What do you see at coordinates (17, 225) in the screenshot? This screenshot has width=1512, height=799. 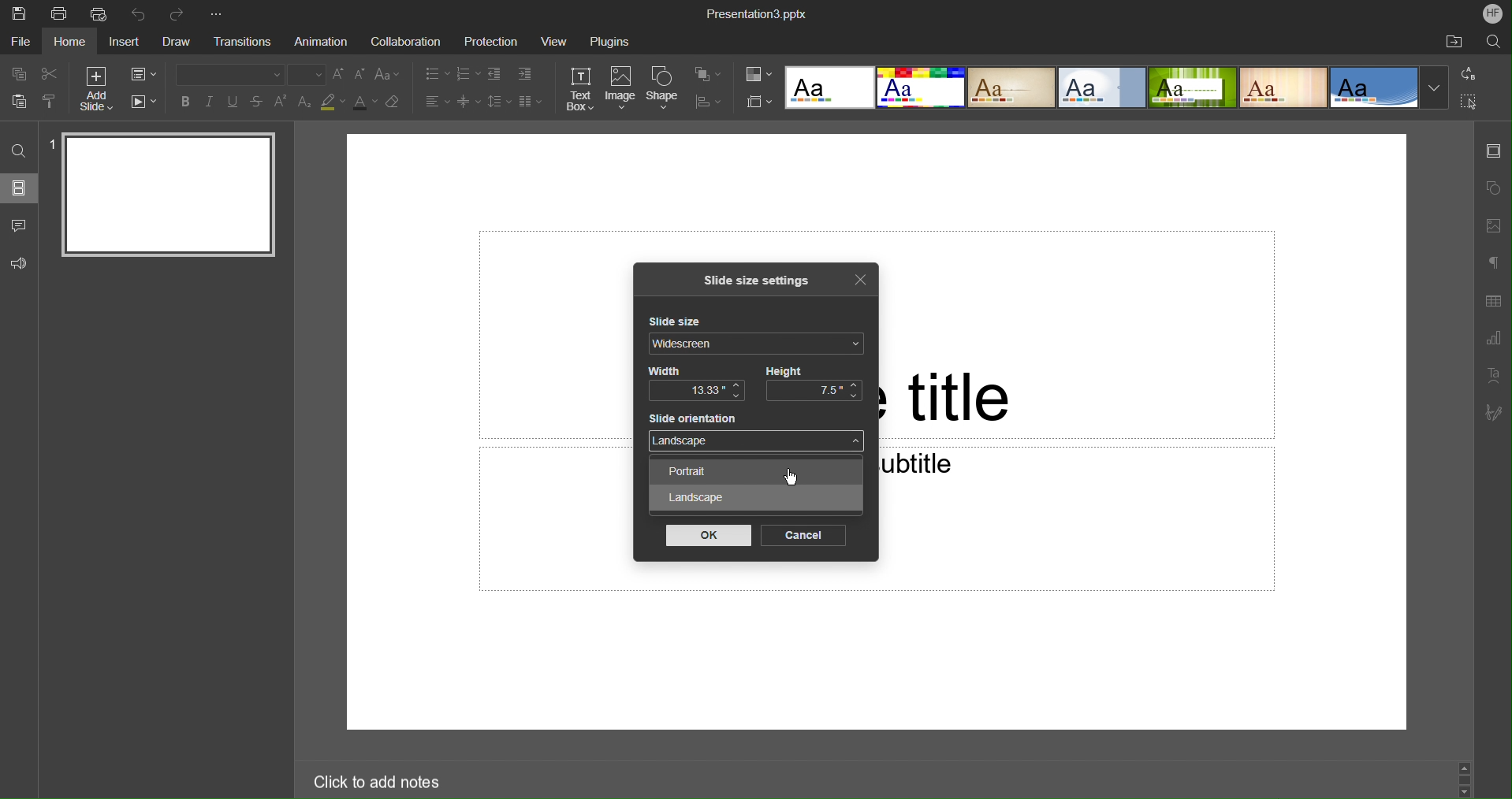 I see `Comments` at bounding box center [17, 225].